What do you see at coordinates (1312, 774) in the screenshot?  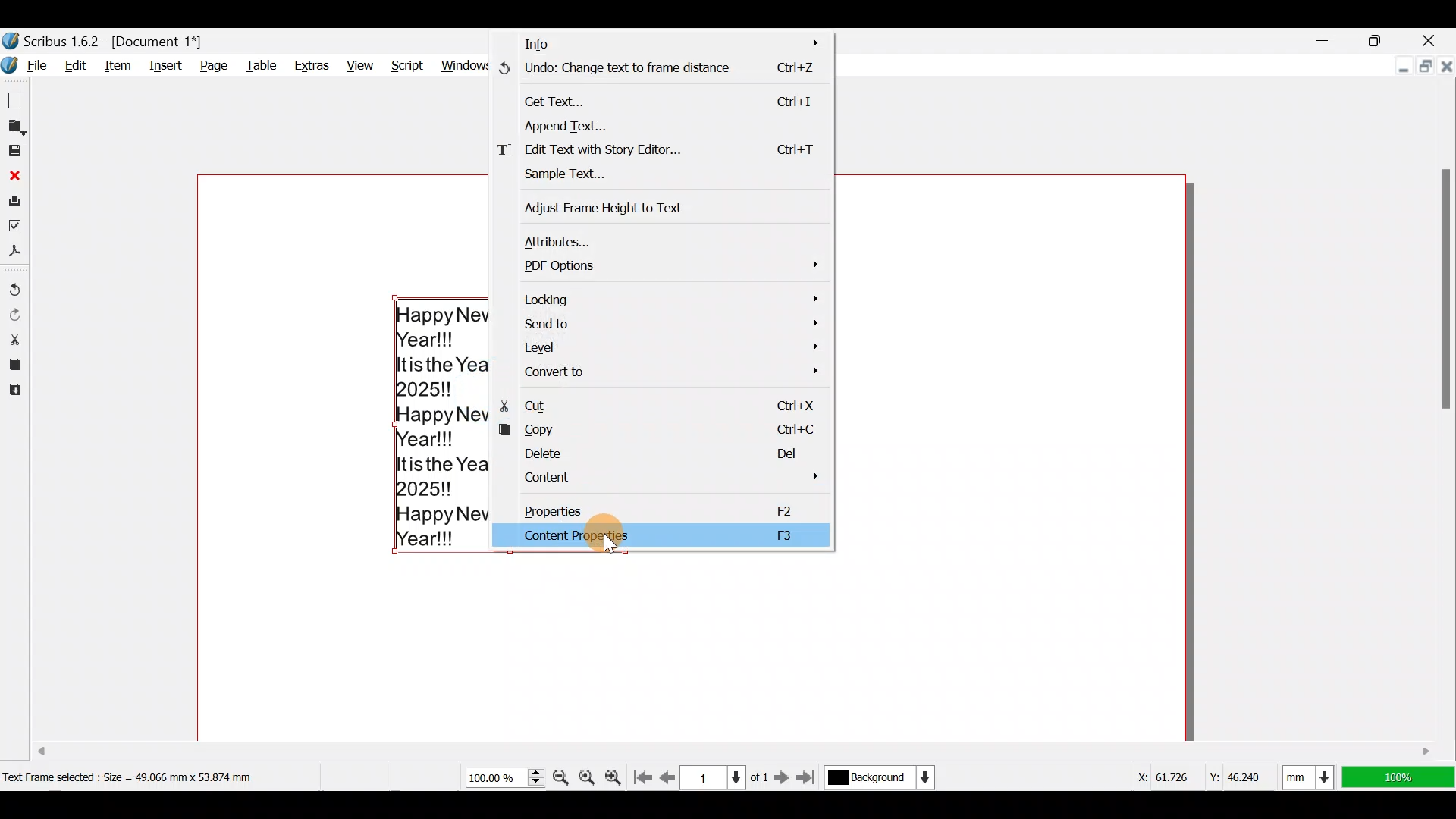 I see `Select current units` at bounding box center [1312, 774].